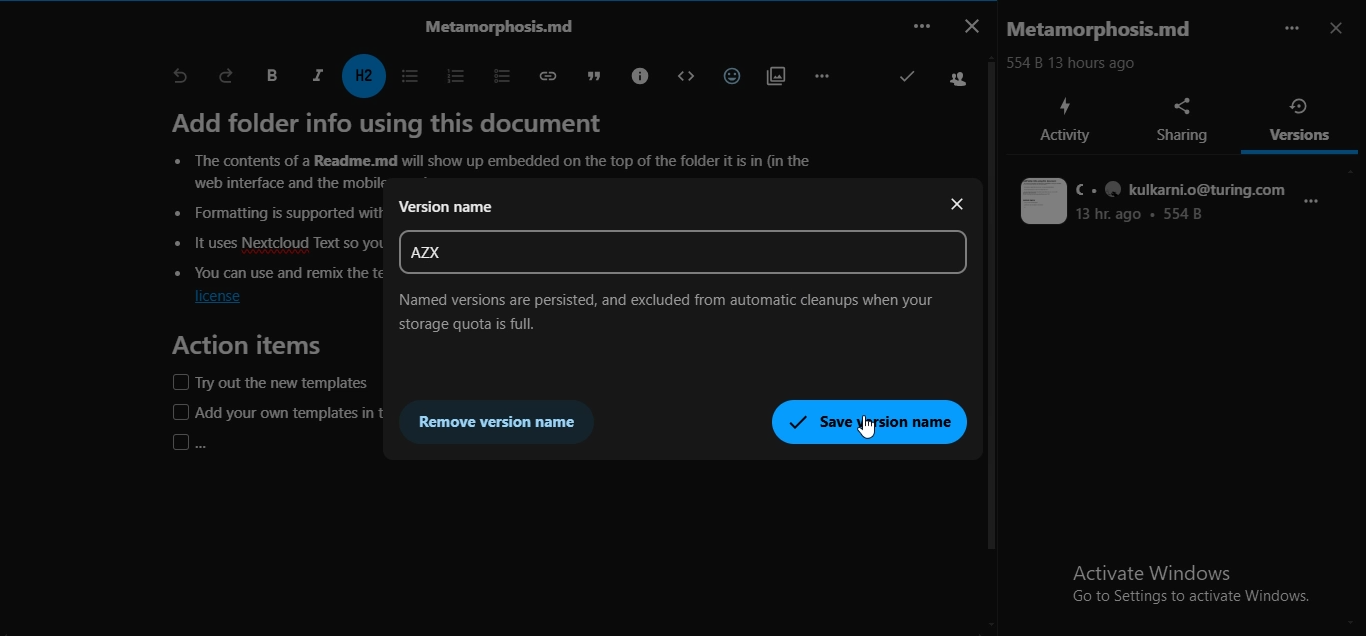  What do you see at coordinates (866, 427) in the screenshot?
I see `Cursor` at bounding box center [866, 427].